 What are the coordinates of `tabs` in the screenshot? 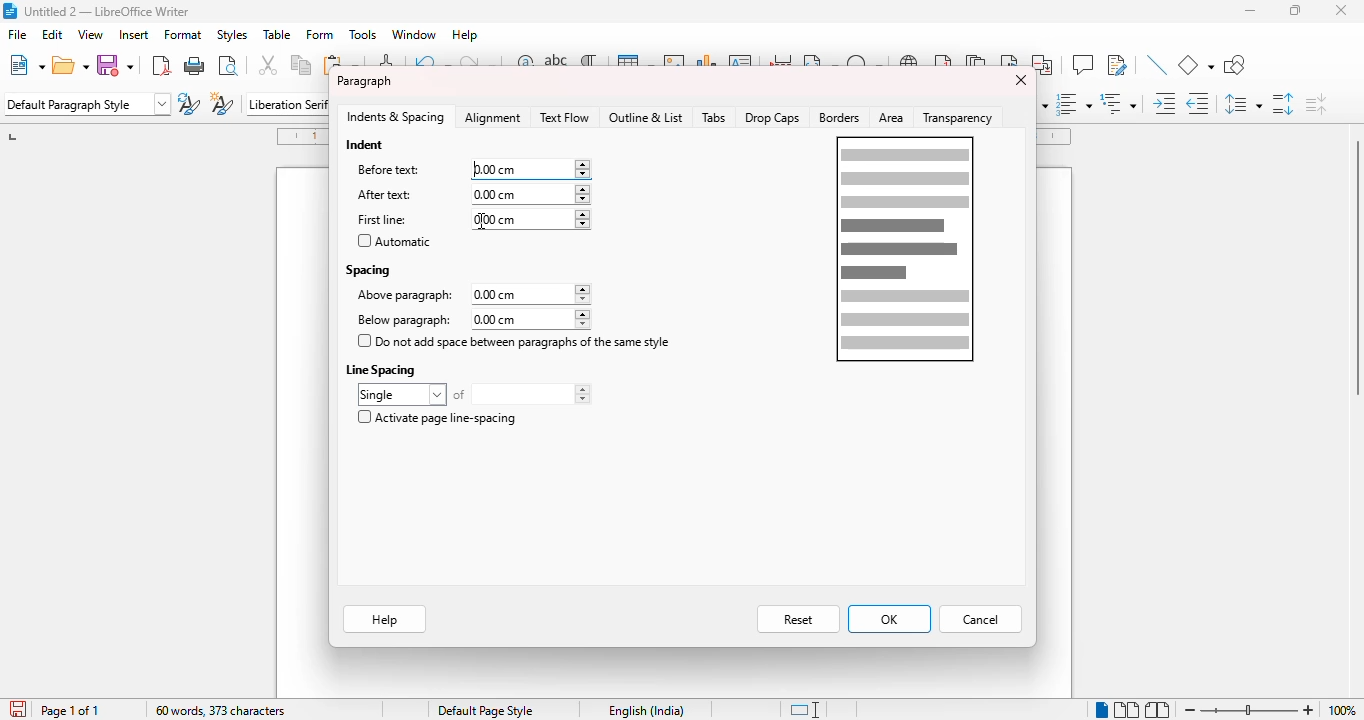 It's located at (714, 118).